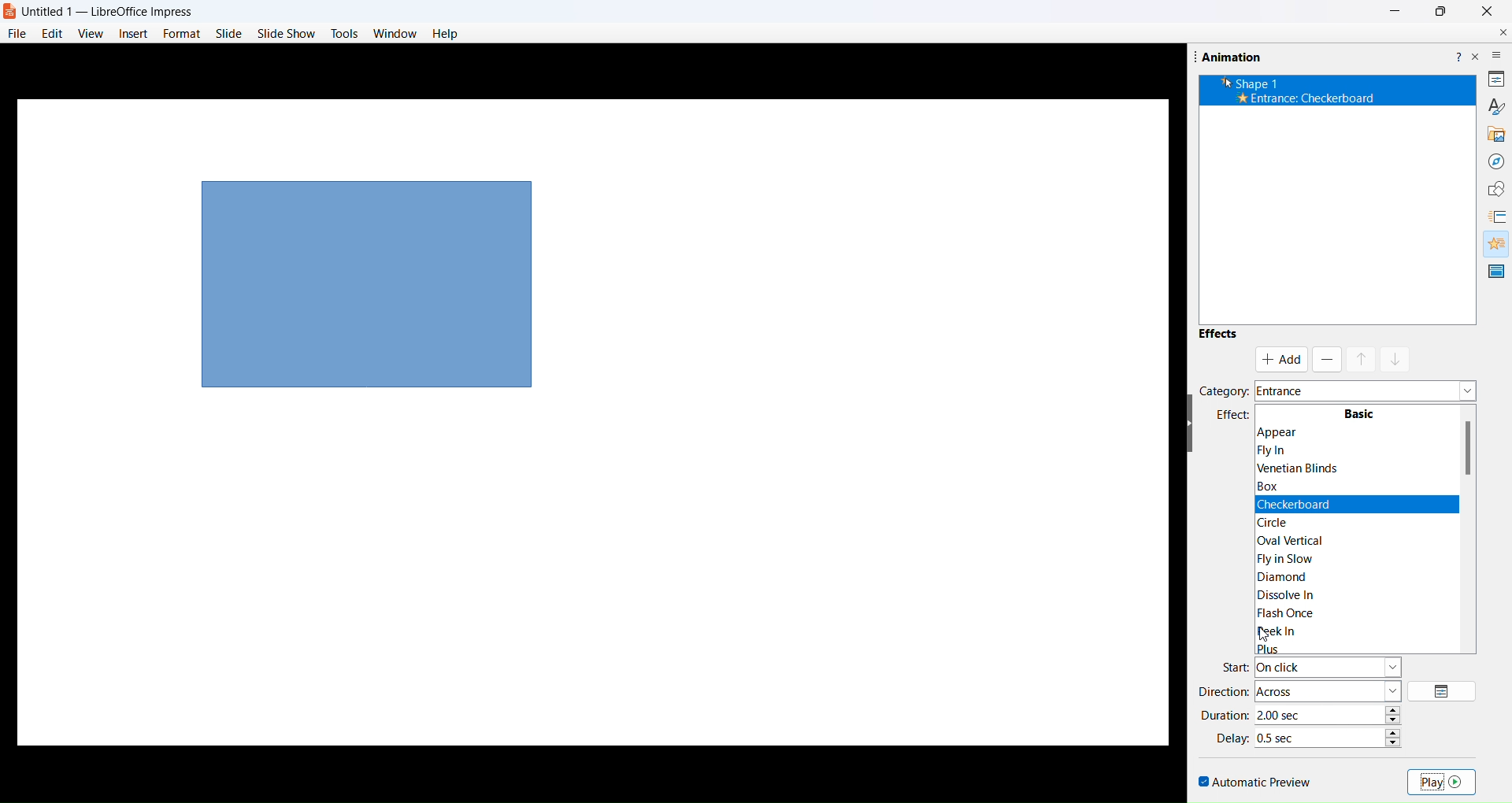 The width and height of the screenshot is (1512, 803). Describe the element at coordinates (1315, 91) in the screenshot. I see `x Shape 1
Entrance: Appear` at that location.